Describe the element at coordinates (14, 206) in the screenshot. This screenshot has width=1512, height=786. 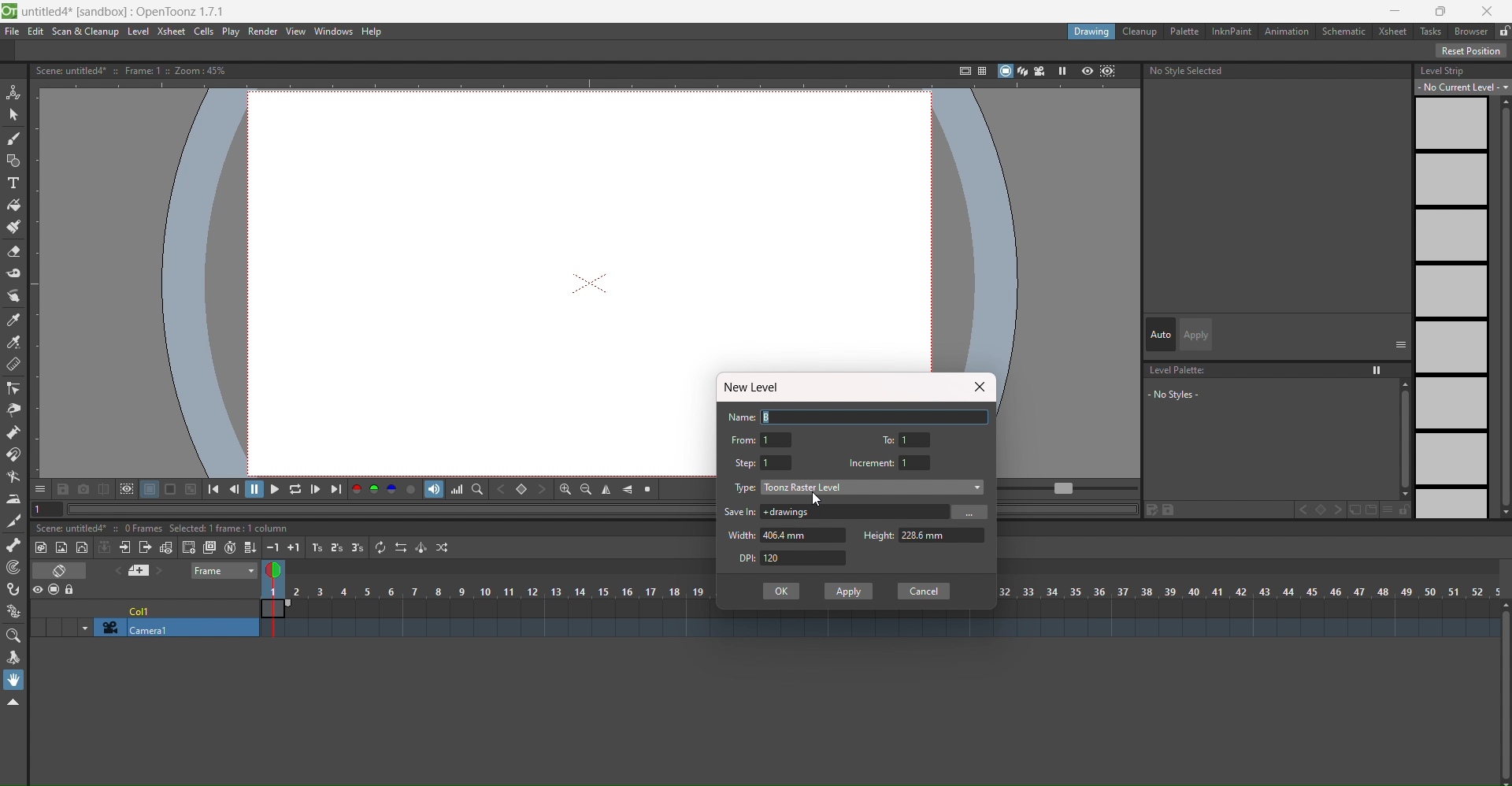
I see `fill tool` at that location.